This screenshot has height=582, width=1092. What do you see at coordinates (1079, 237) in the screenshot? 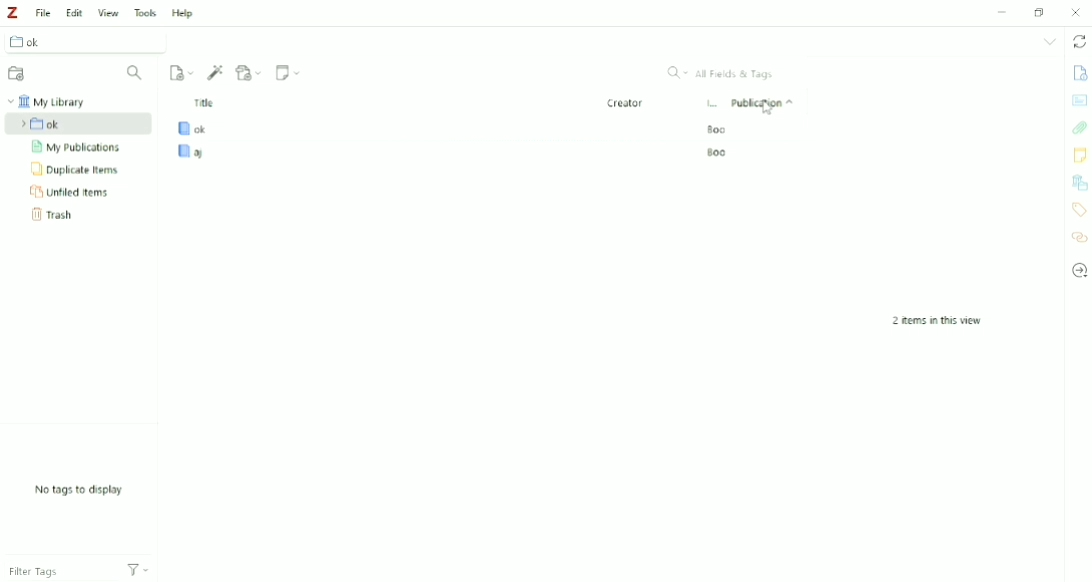
I see `Related` at bounding box center [1079, 237].